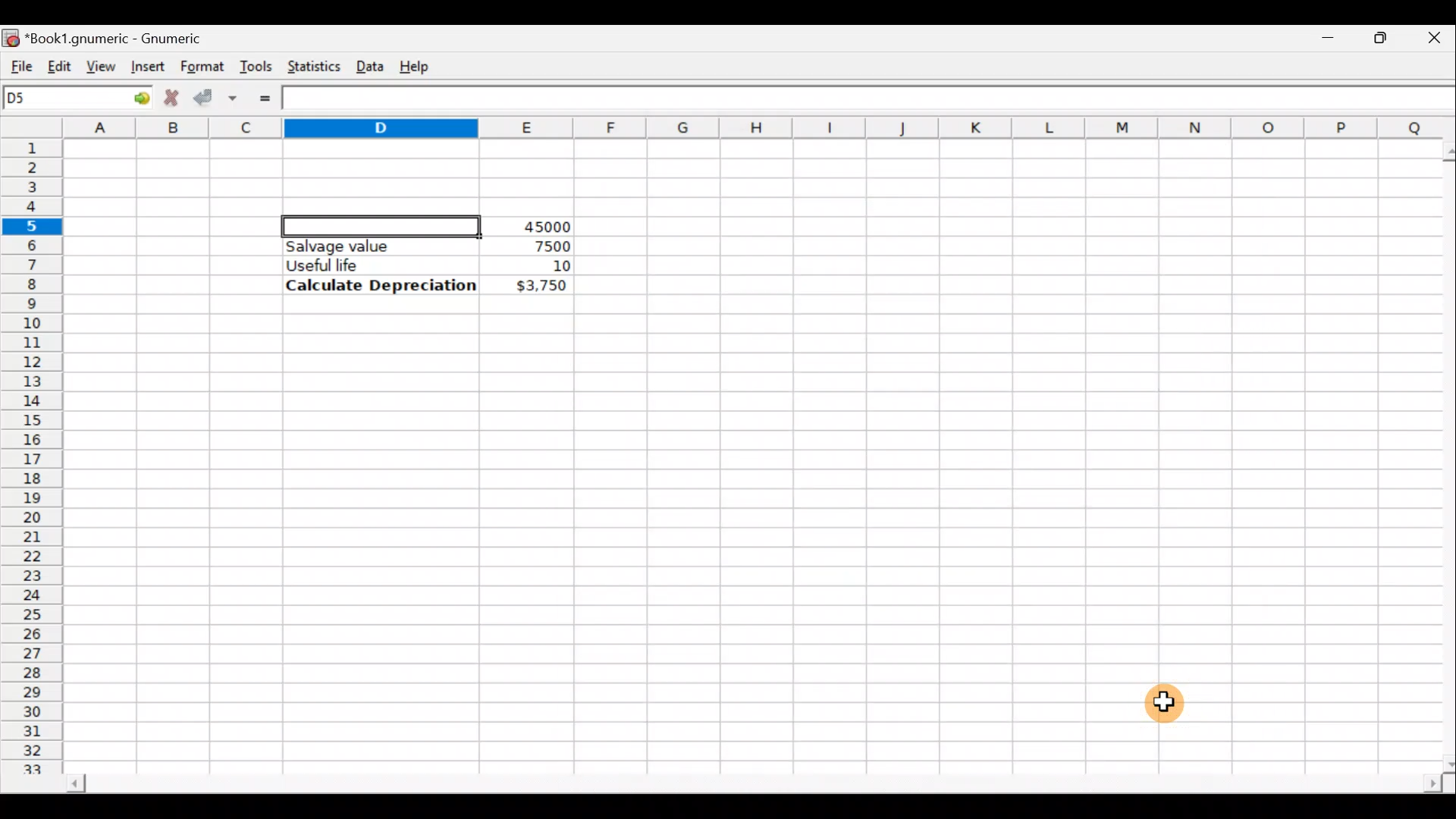 This screenshot has width=1456, height=819. What do you see at coordinates (124, 37) in the screenshot?
I see `Book1.gnumeric - Gnumeric` at bounding box center [124, 37].